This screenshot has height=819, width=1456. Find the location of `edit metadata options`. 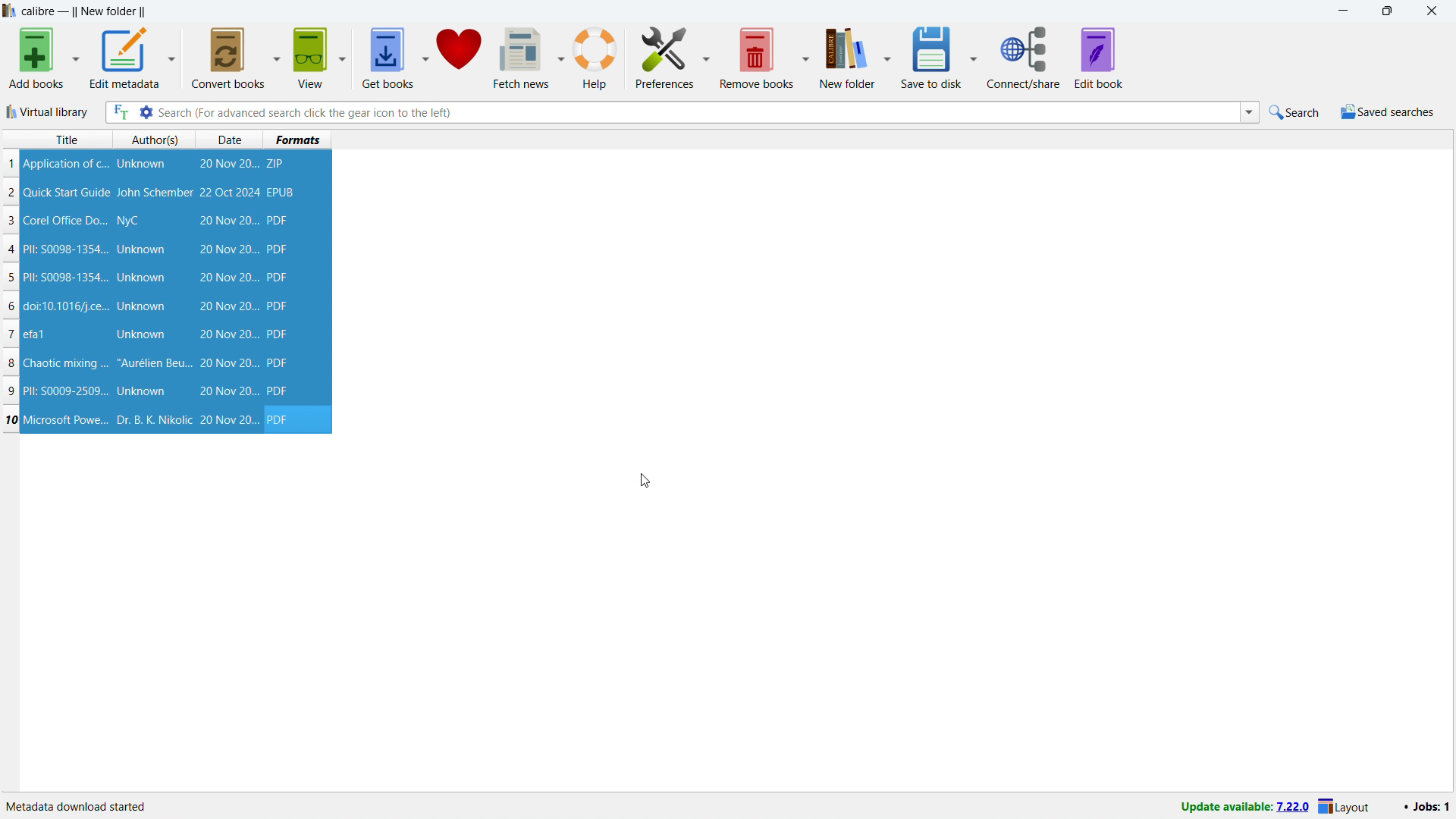

edit metadata options is located at coordinates (173, 57).